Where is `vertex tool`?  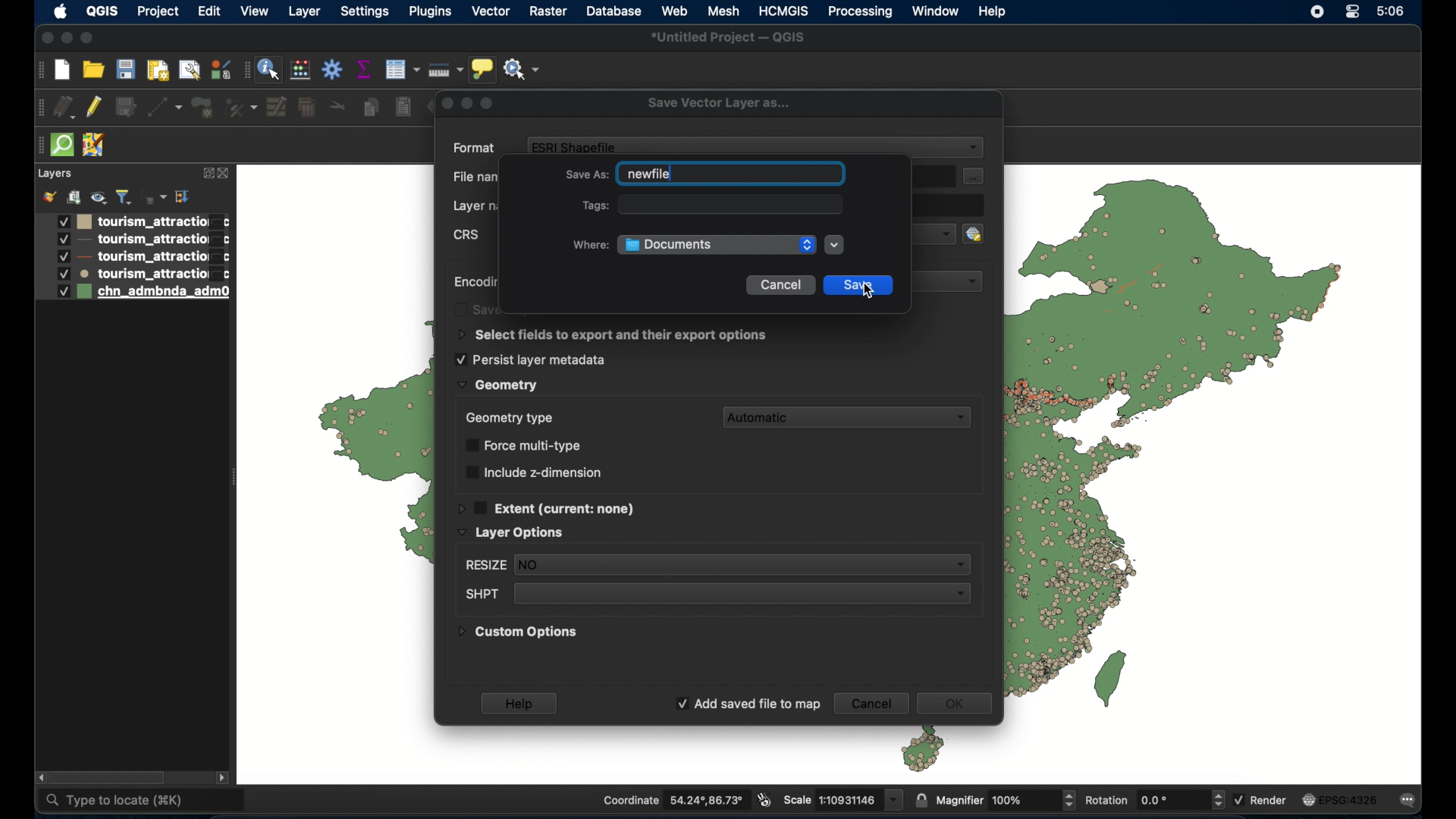
vertex tool is located at coordinates (243, 108).